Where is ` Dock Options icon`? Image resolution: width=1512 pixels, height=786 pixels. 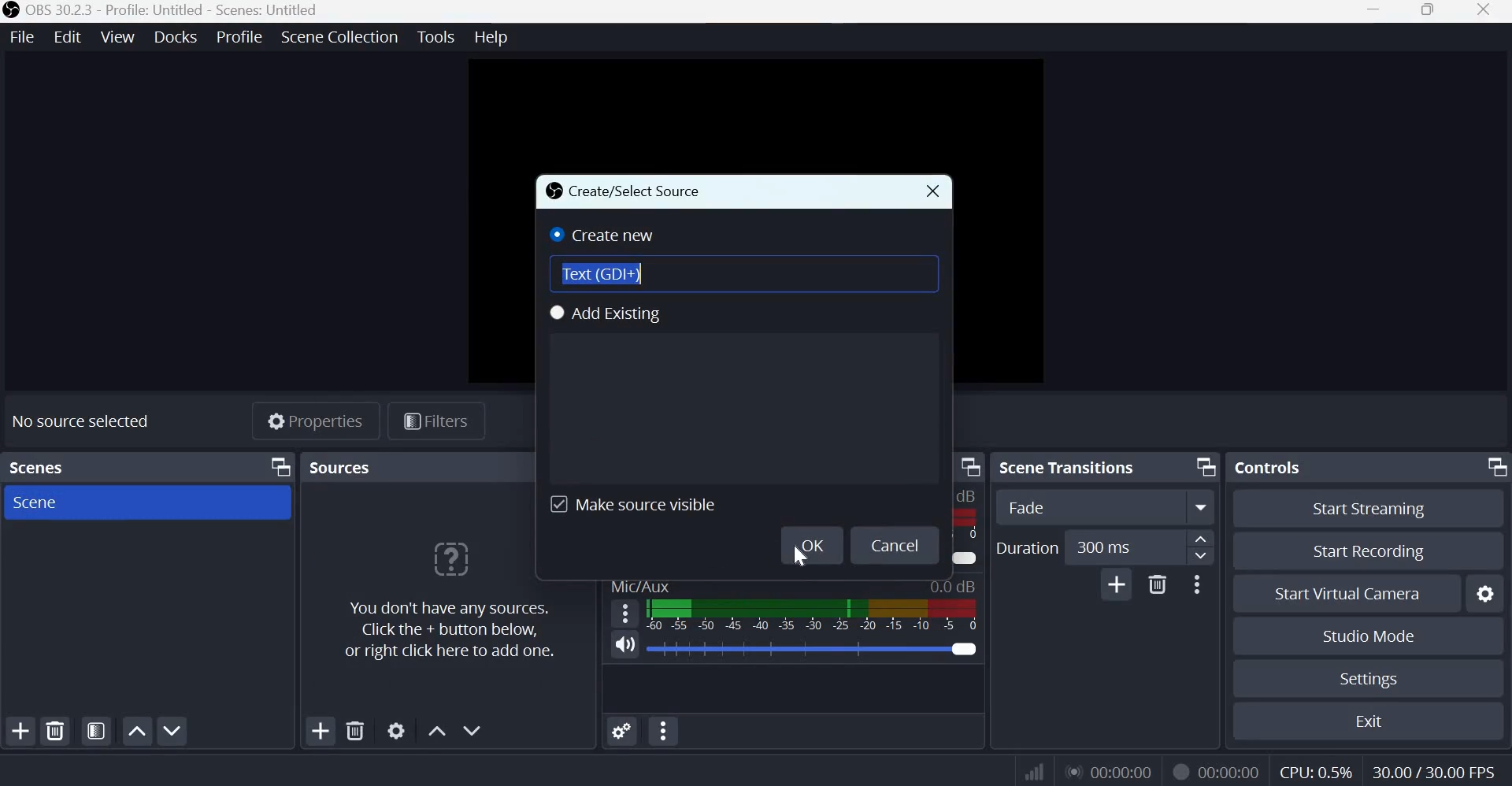
 Dock Options icon is located at coordinates (280, 467).